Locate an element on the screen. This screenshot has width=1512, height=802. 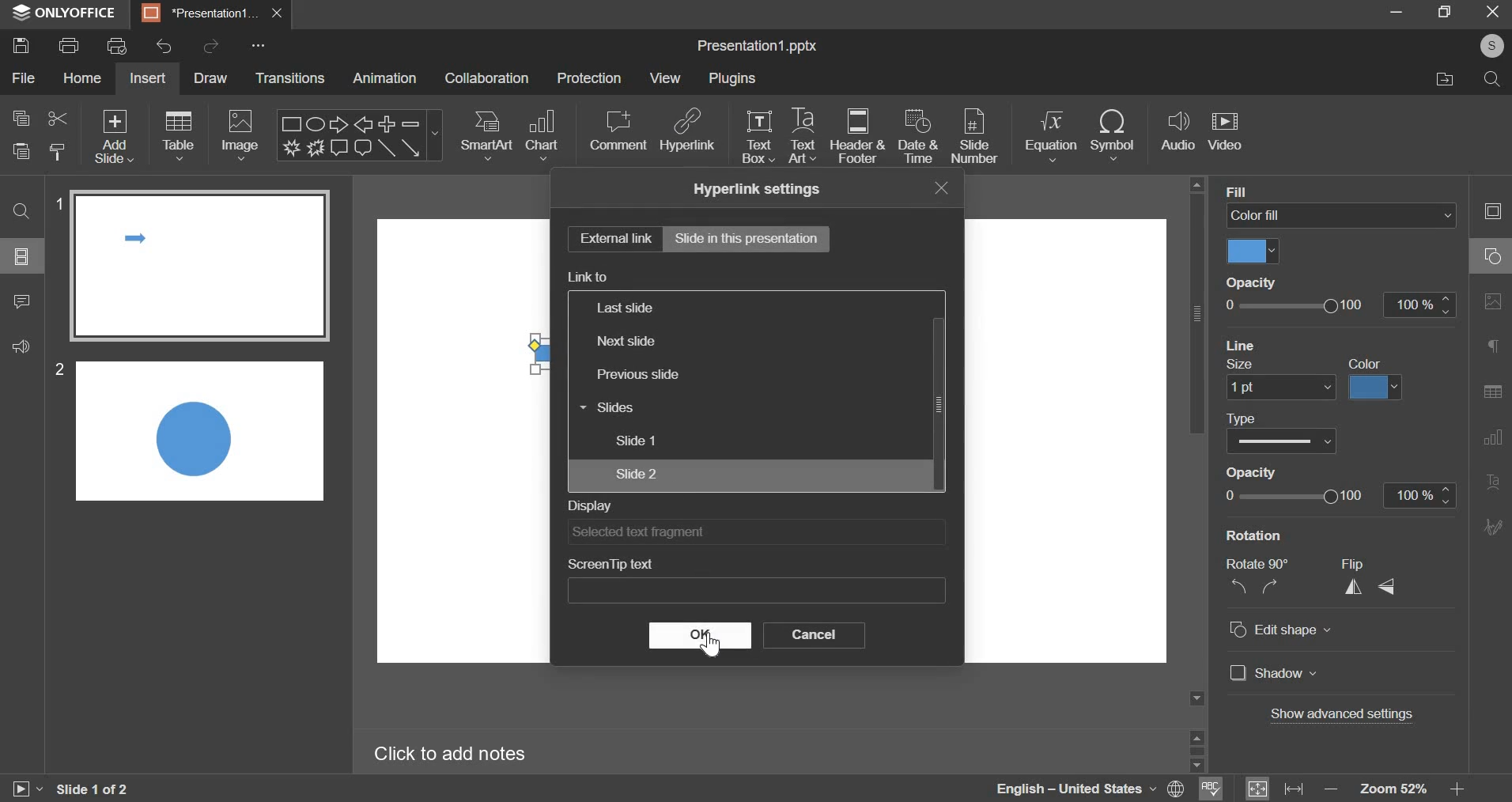
Color is located at coordinates (1366, 363).